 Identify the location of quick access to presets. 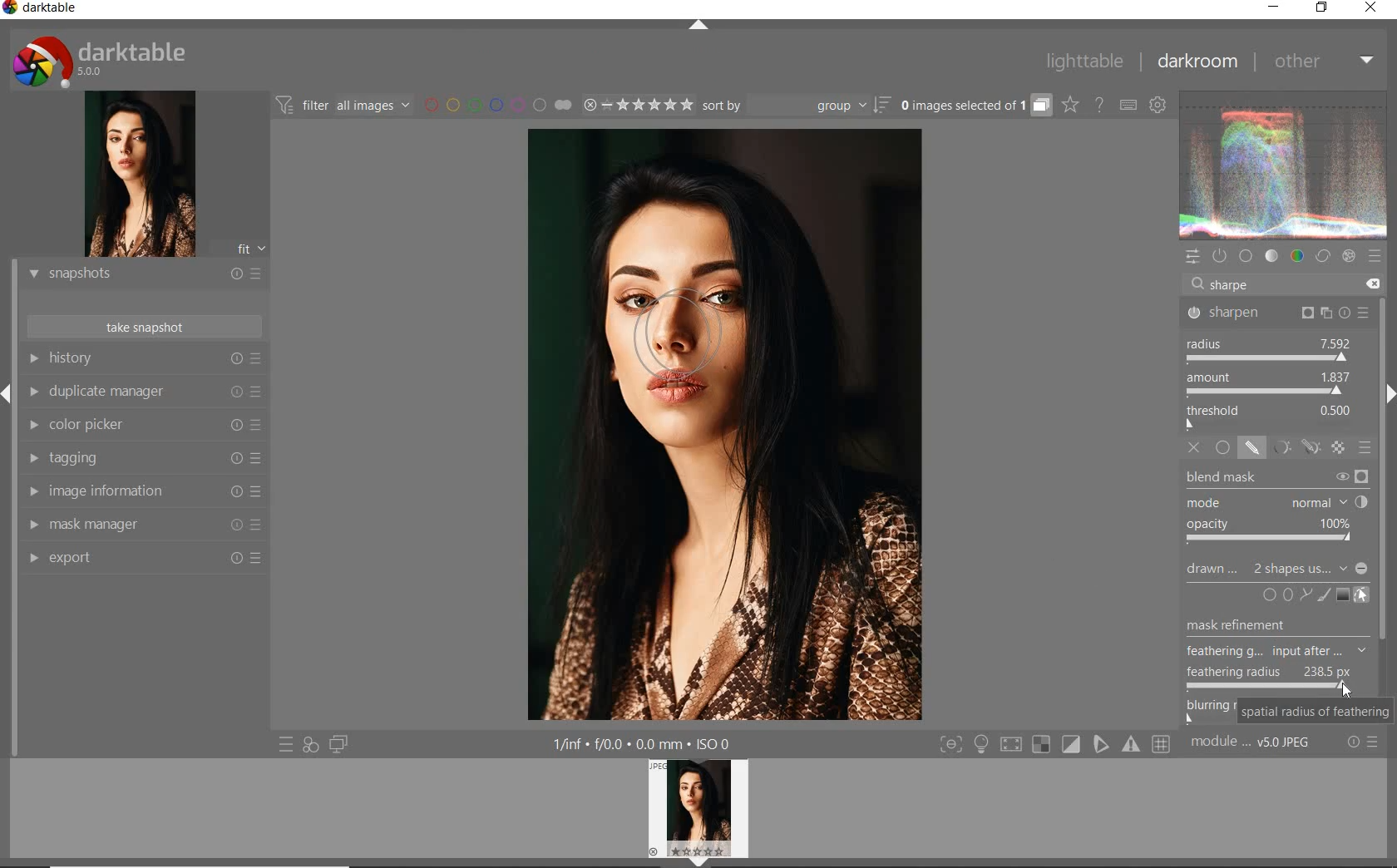
(284, 744).